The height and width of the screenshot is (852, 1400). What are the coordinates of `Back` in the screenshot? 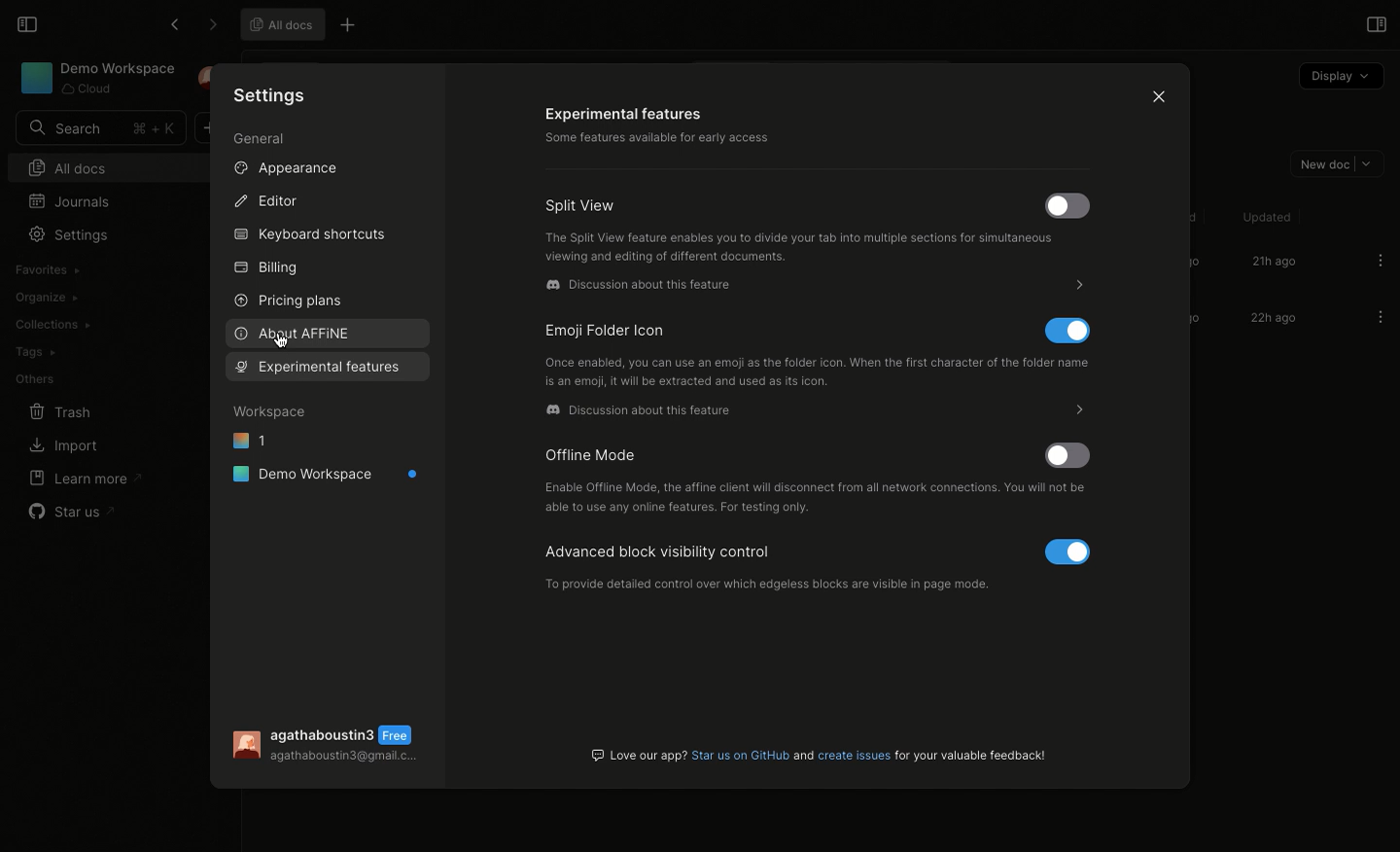 It's located at (174, 24).